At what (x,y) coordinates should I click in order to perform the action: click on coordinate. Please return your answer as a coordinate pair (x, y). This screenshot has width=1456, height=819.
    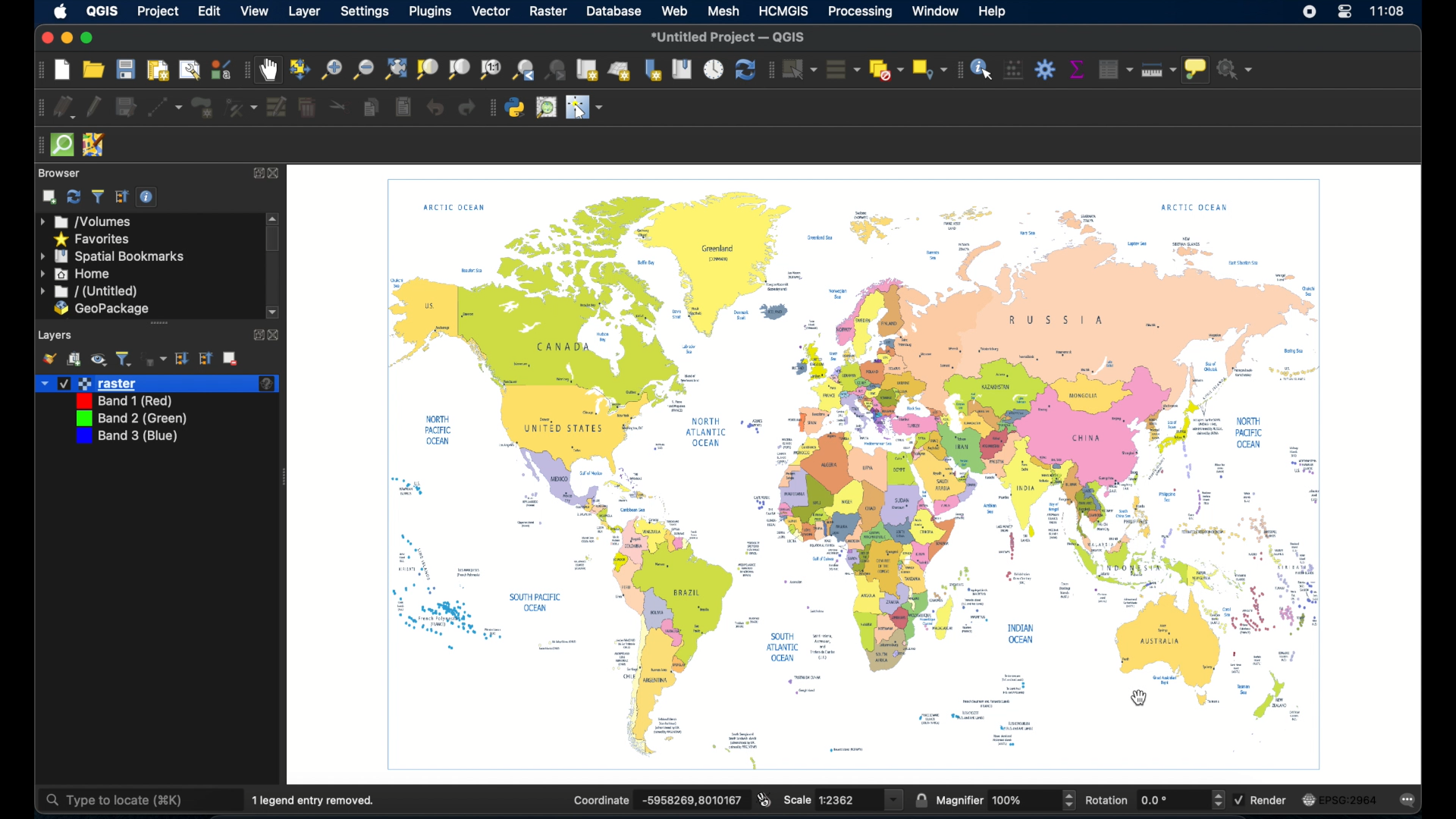
    Looking at the image, I should click on (599, 799).